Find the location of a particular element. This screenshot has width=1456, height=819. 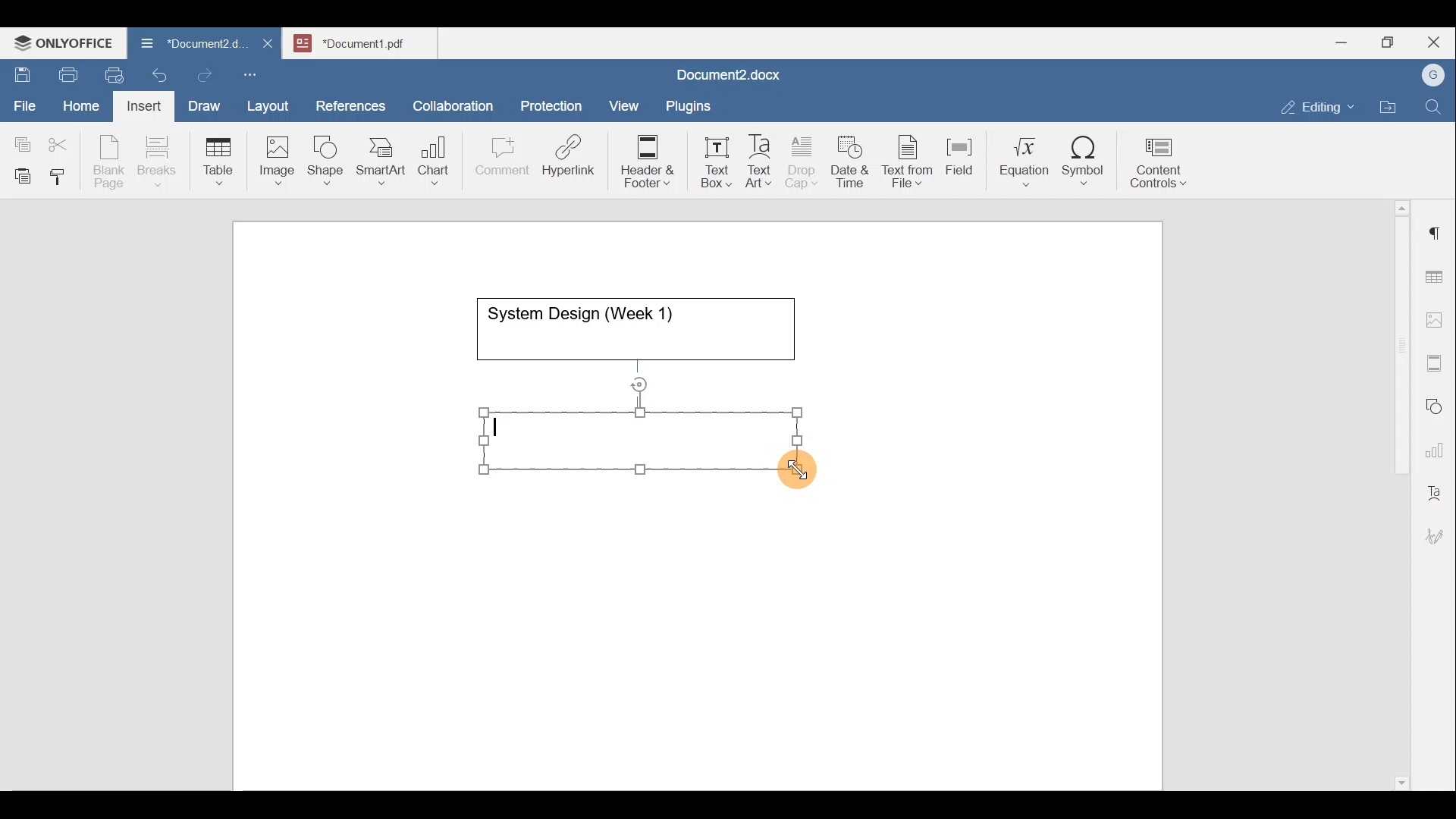

Paragraph settings is located at coordinates (1436, 227).